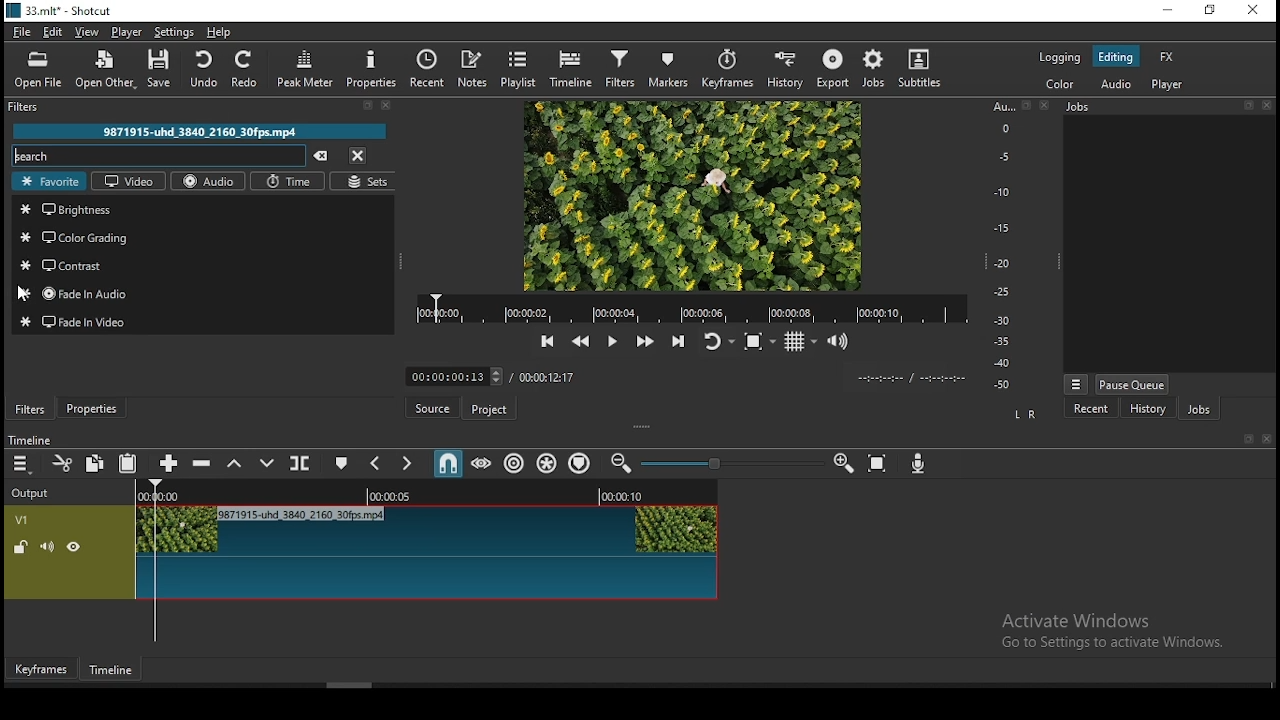 Image resolution: width=1280 pixels, height=720 pixels. Describe the element at coordinates (127, 465) in the screenshot. I see `paste` at that location.